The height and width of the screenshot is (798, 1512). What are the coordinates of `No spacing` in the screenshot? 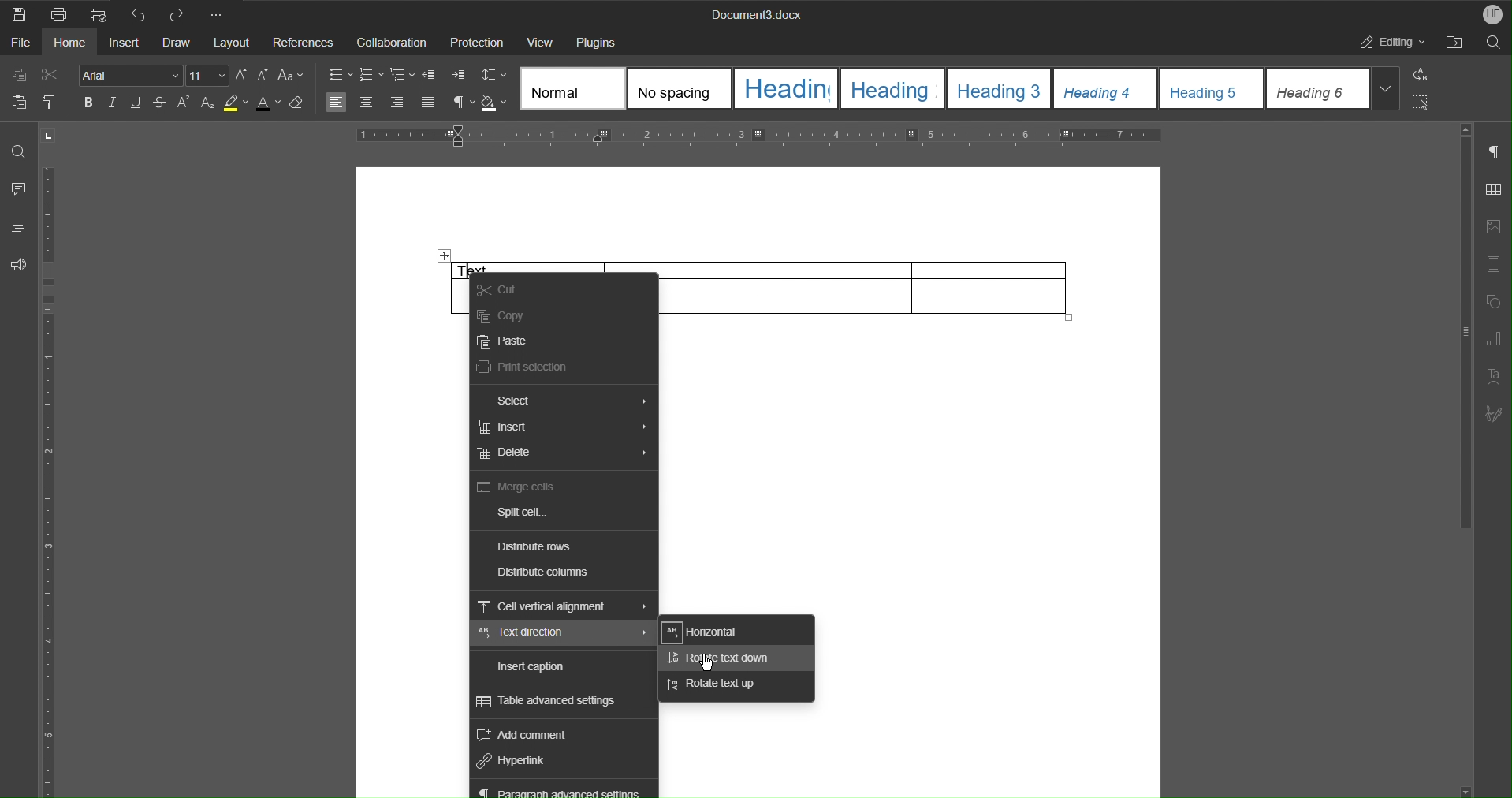 It's located at (680, 89).